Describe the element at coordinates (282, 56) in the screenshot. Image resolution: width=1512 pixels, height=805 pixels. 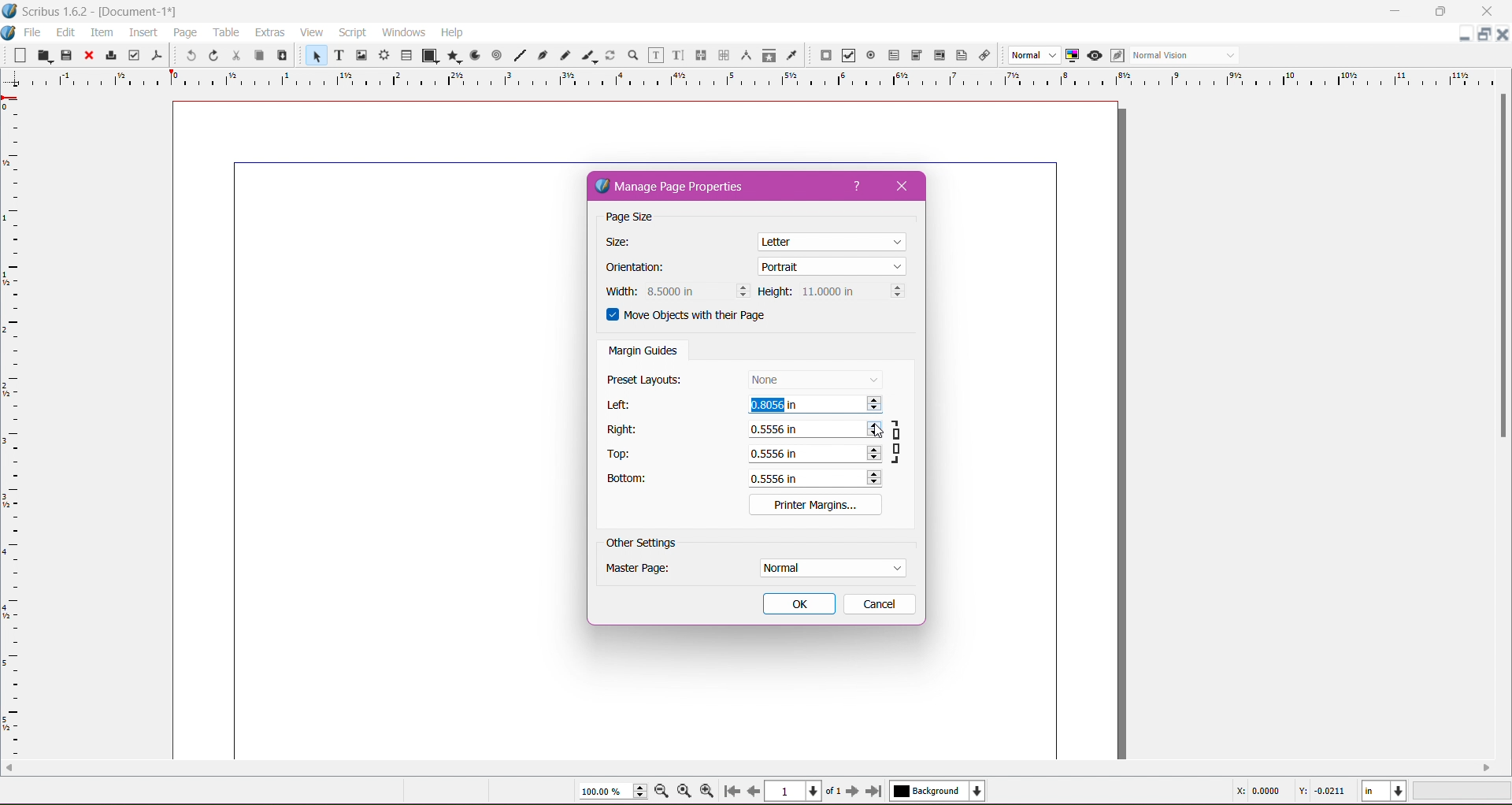
I see `Paste` at that location.